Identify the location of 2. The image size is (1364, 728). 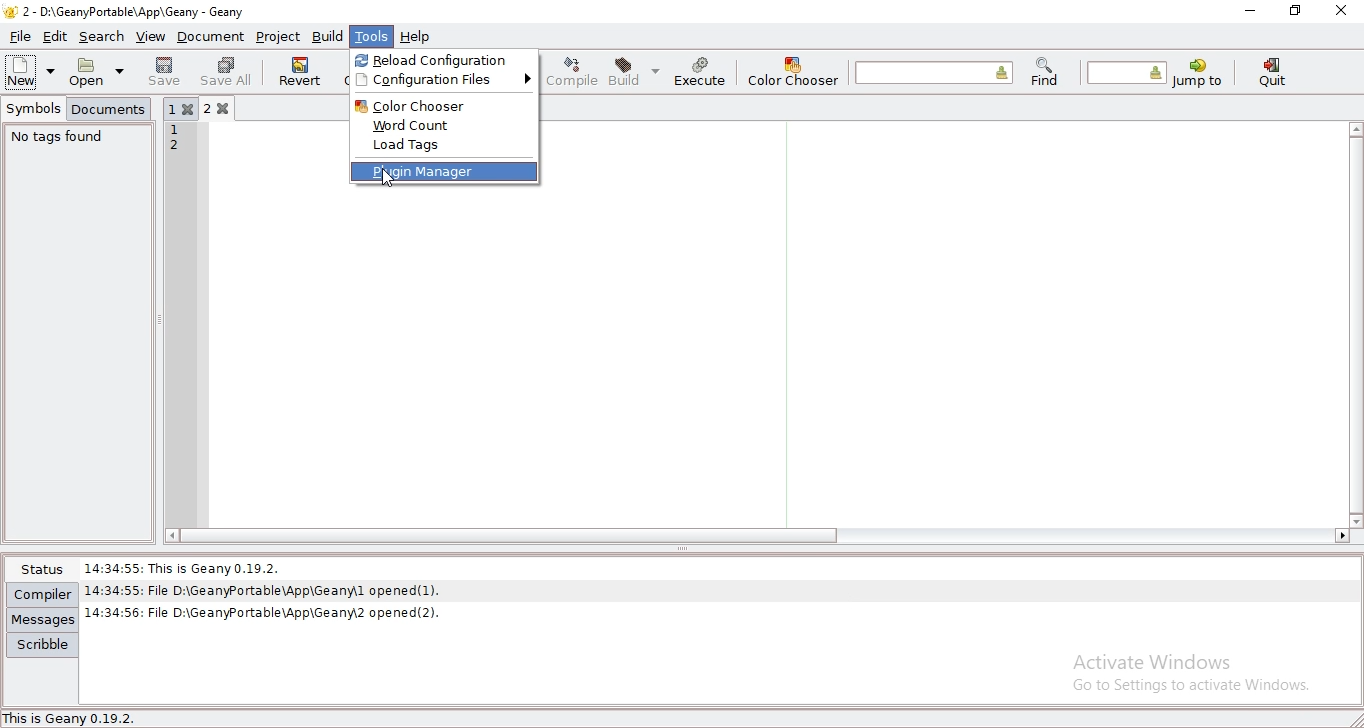
(224, 108).